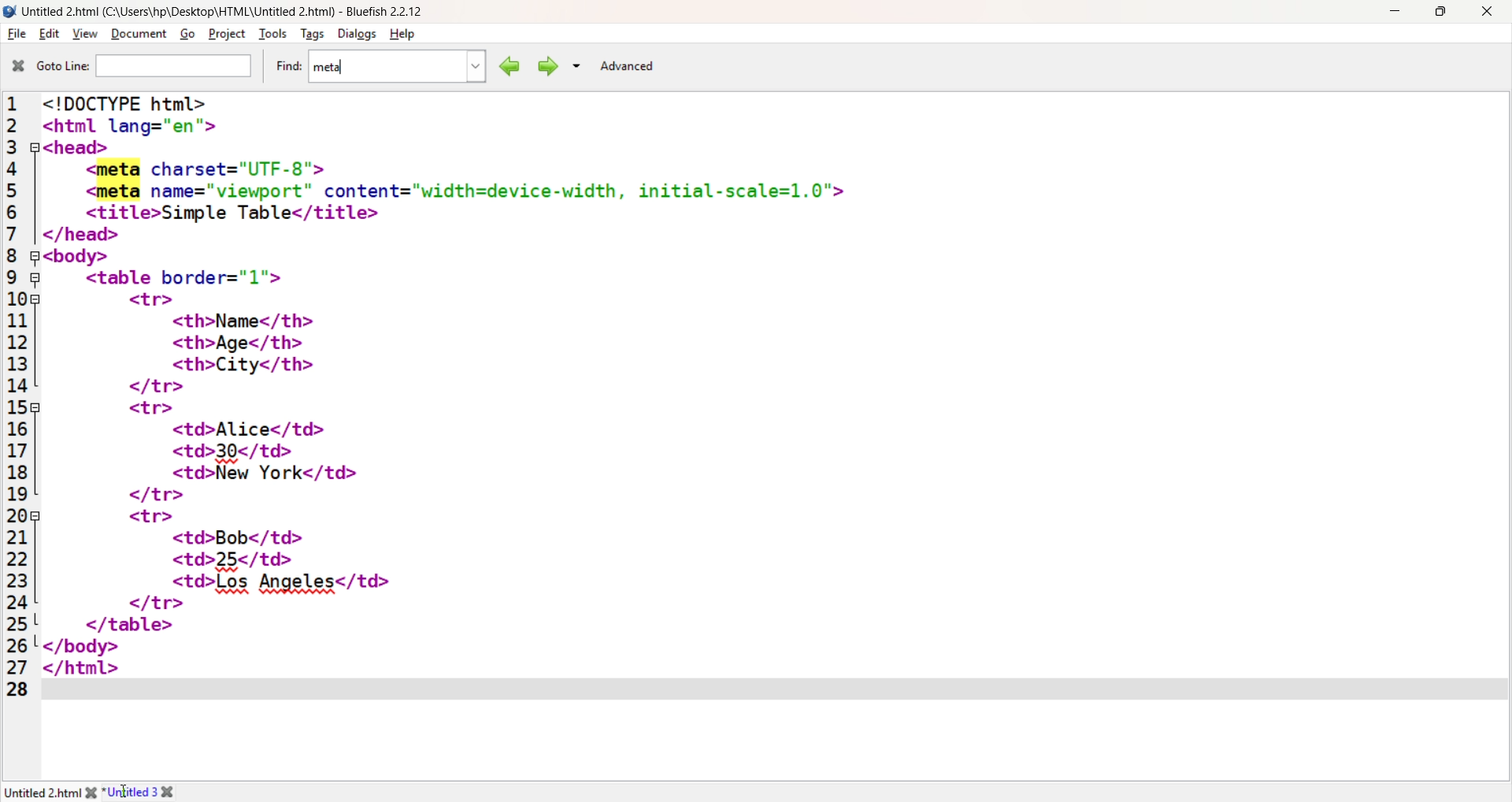  Describe the element at coordinates (1440, 12) in the screenshot. I see `Maximize` at that location.